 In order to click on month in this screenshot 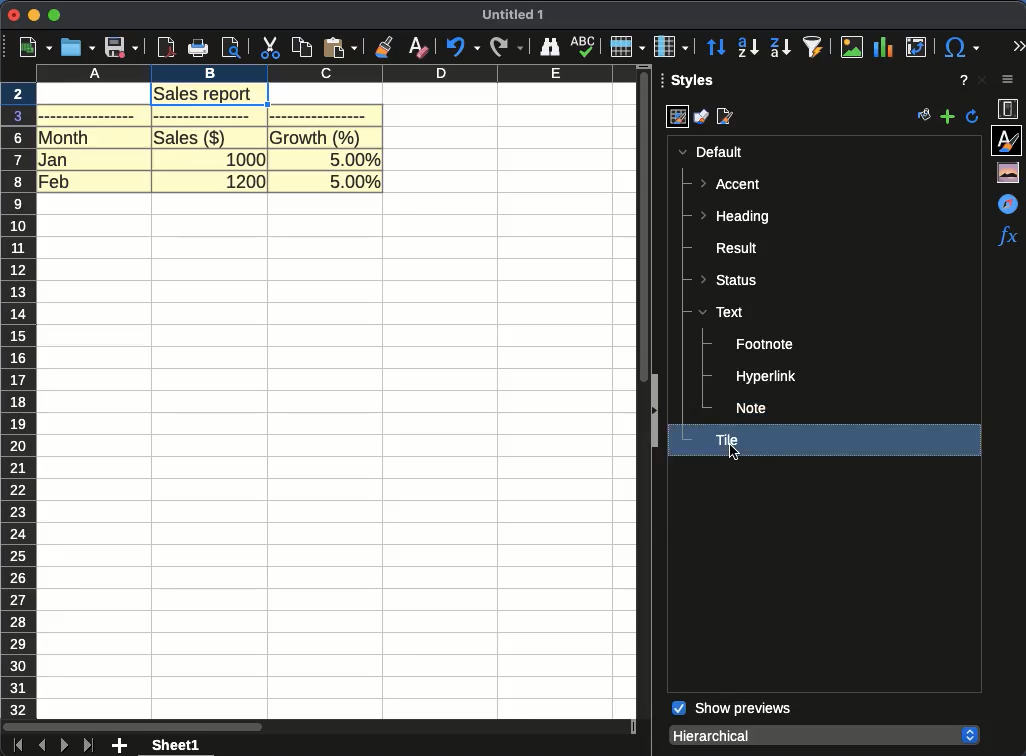, I will do `click(65, 137)`.